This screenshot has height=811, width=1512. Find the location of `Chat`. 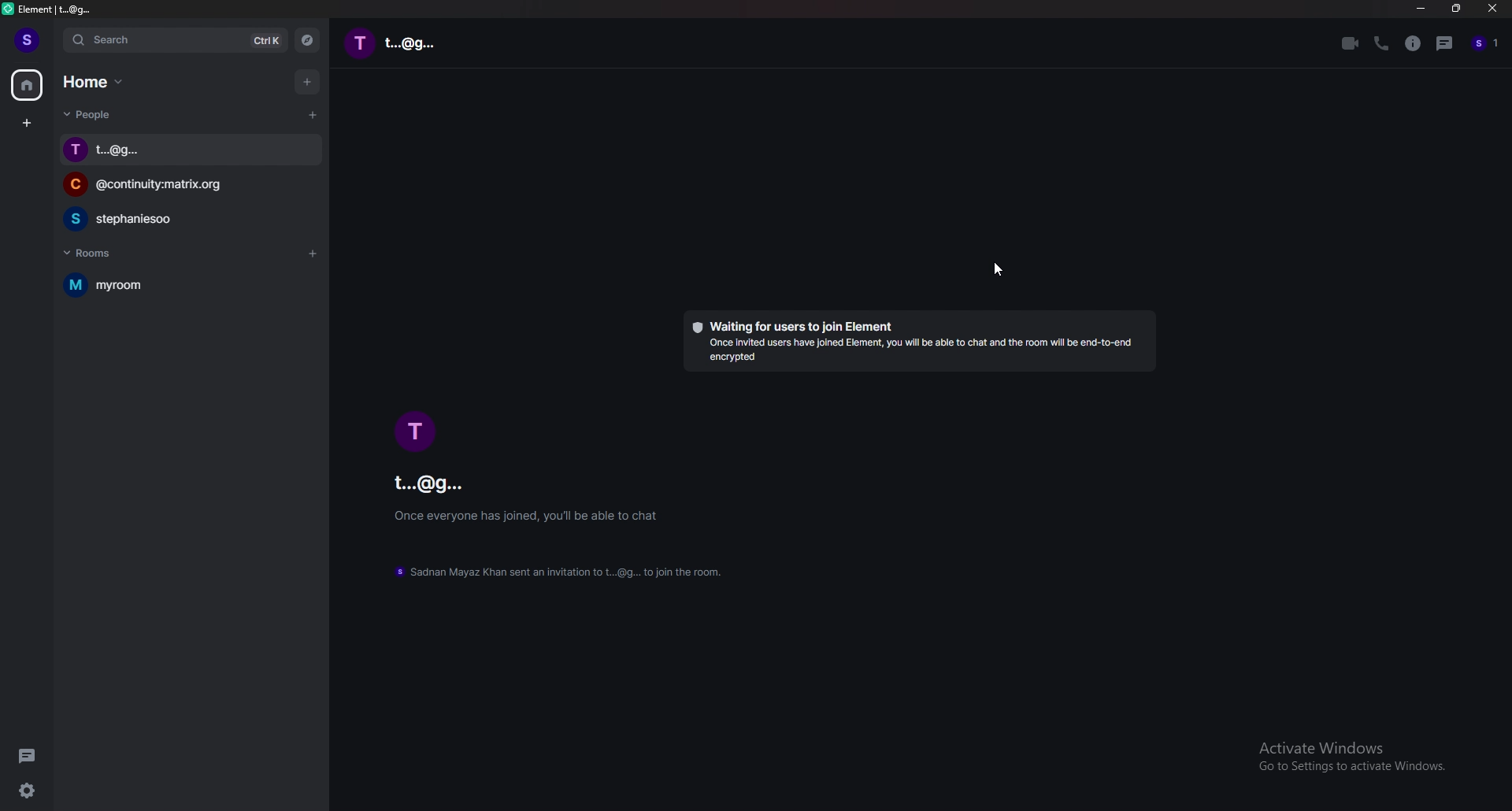

Chat is located at coordinates (129, 219).